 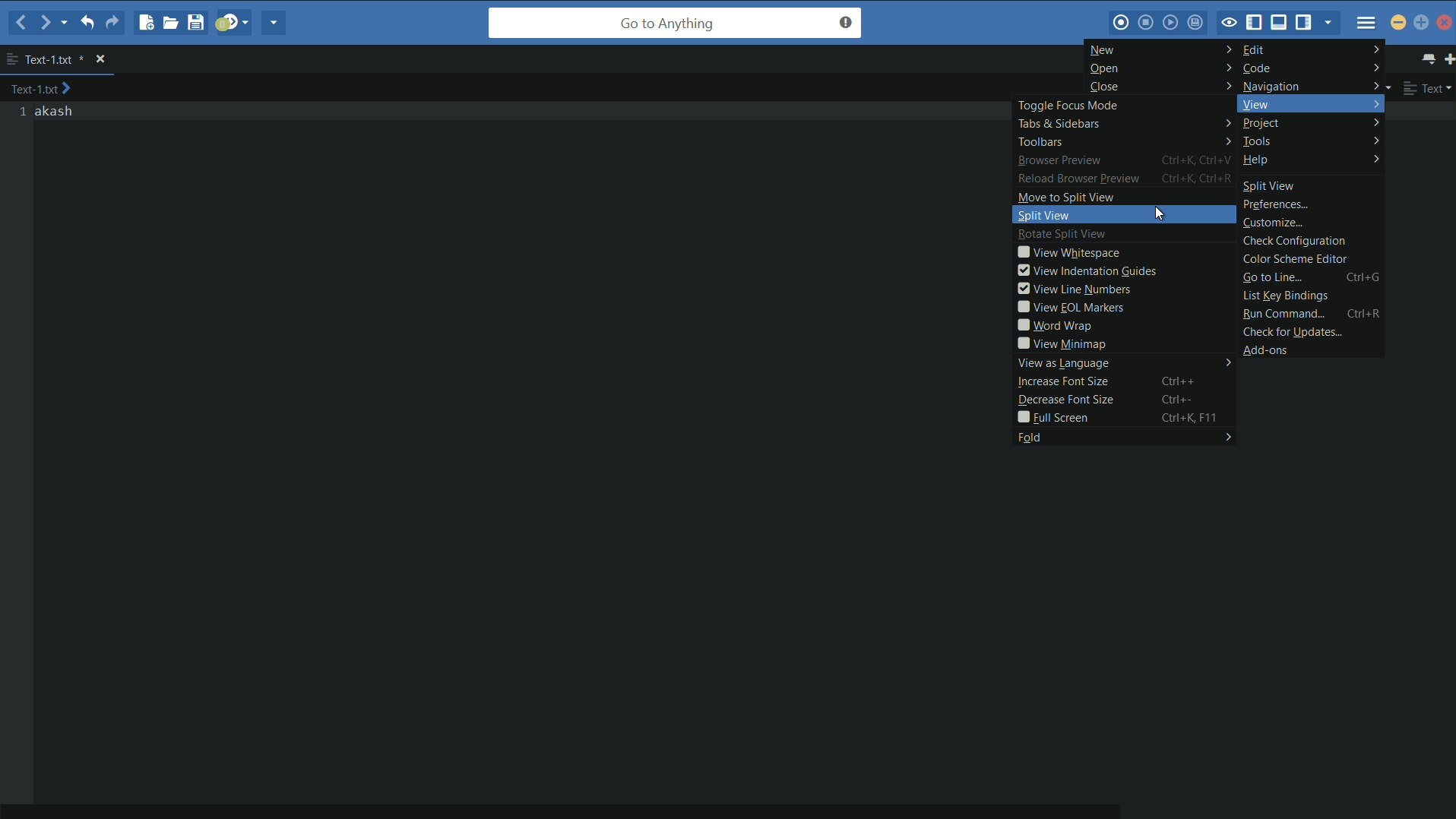 I want to click on line nnumber, so click(x=24, y=112).